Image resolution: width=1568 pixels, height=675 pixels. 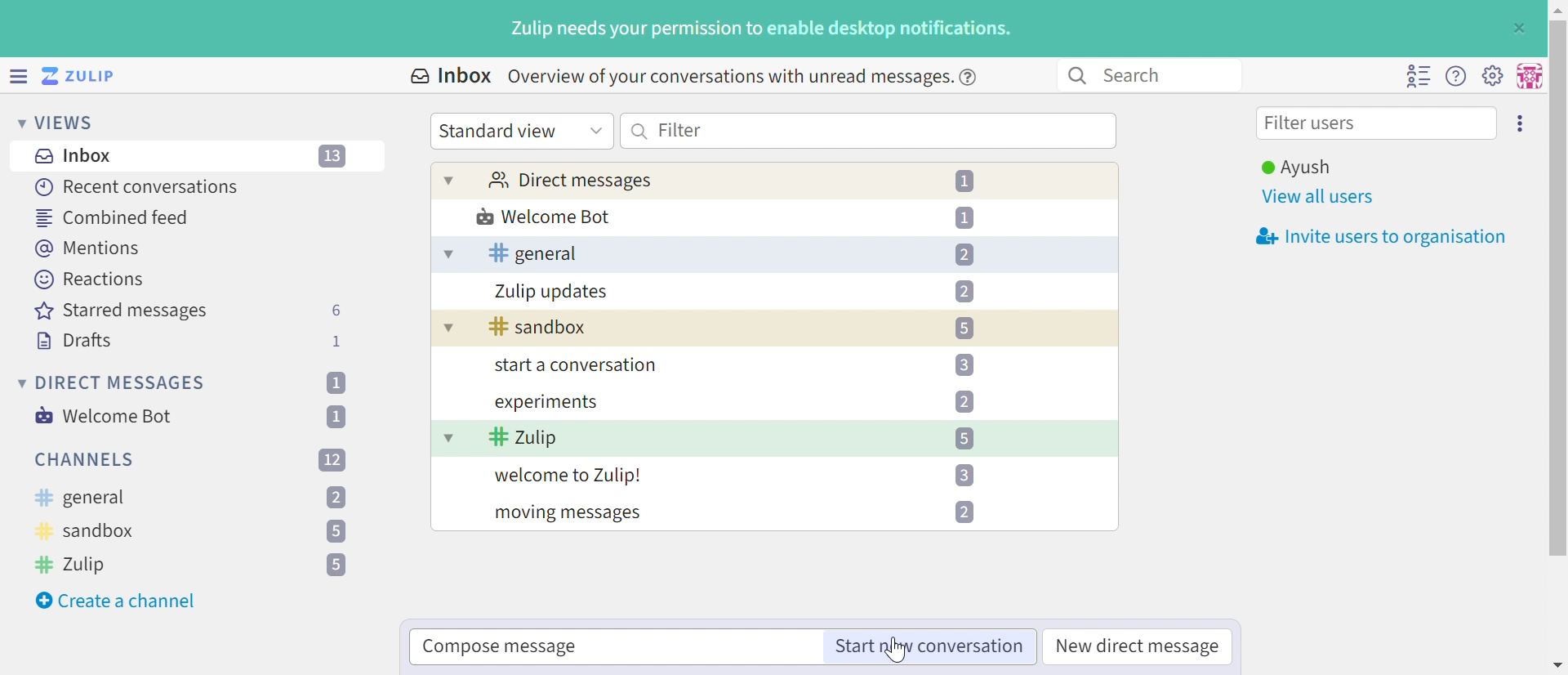 What do you see at coordinates (1456, 77) in the screenshot?
I see `Help menu` at bounding box center [1456, 77].